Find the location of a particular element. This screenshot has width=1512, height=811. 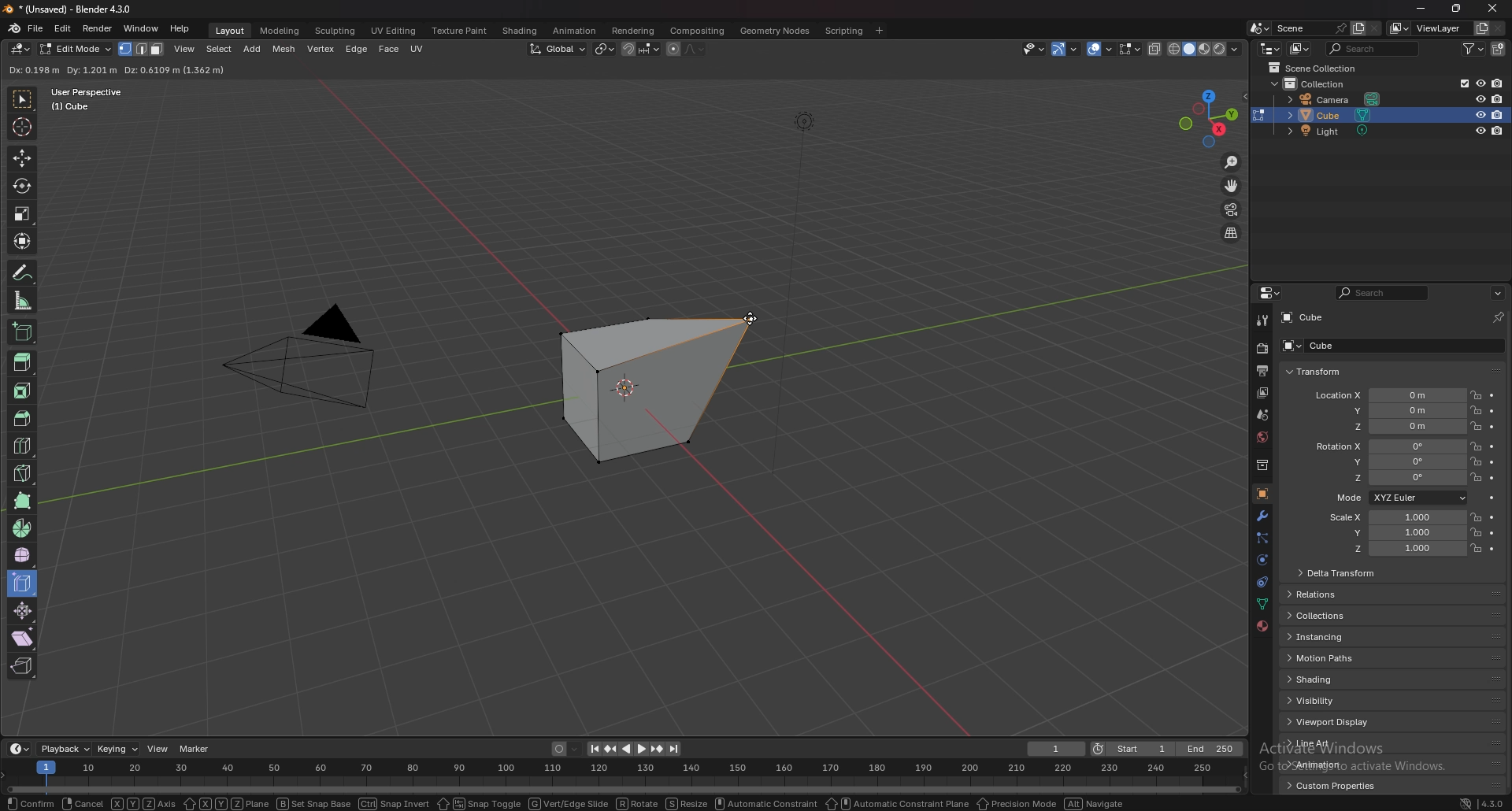

output is located at coordinates (1259, 371).